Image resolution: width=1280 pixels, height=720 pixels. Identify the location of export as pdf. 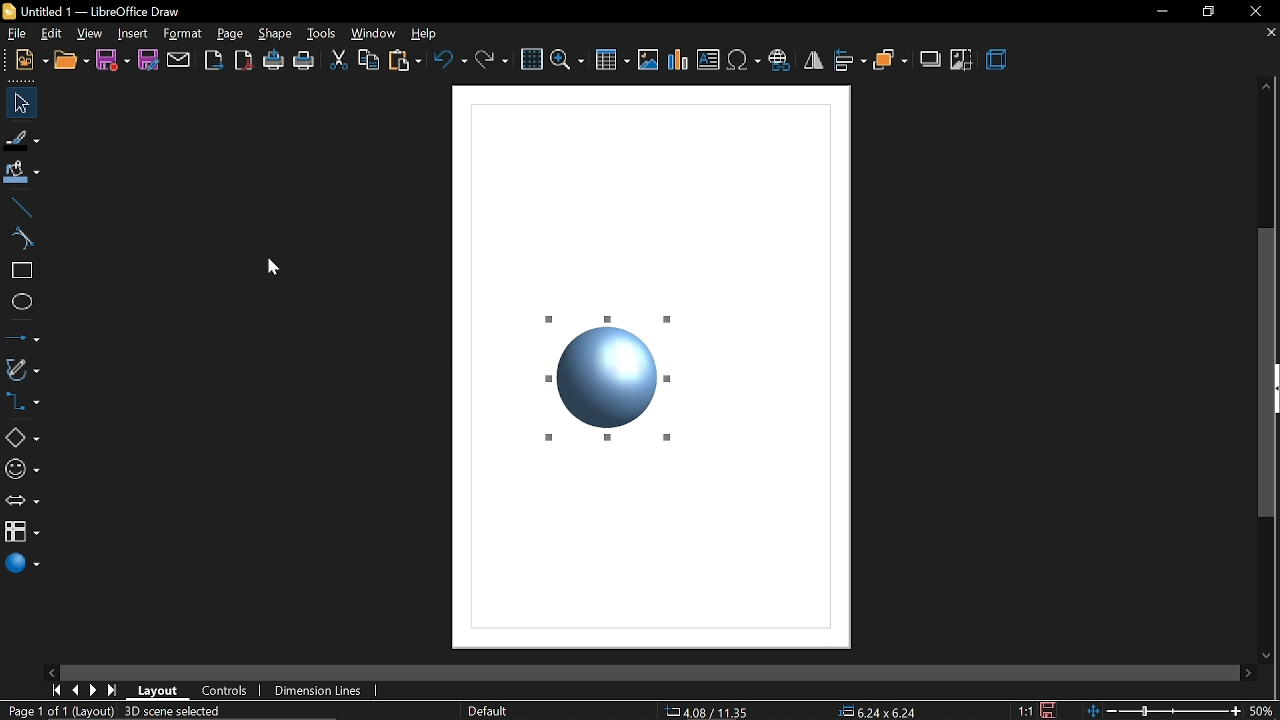
(242, 61).